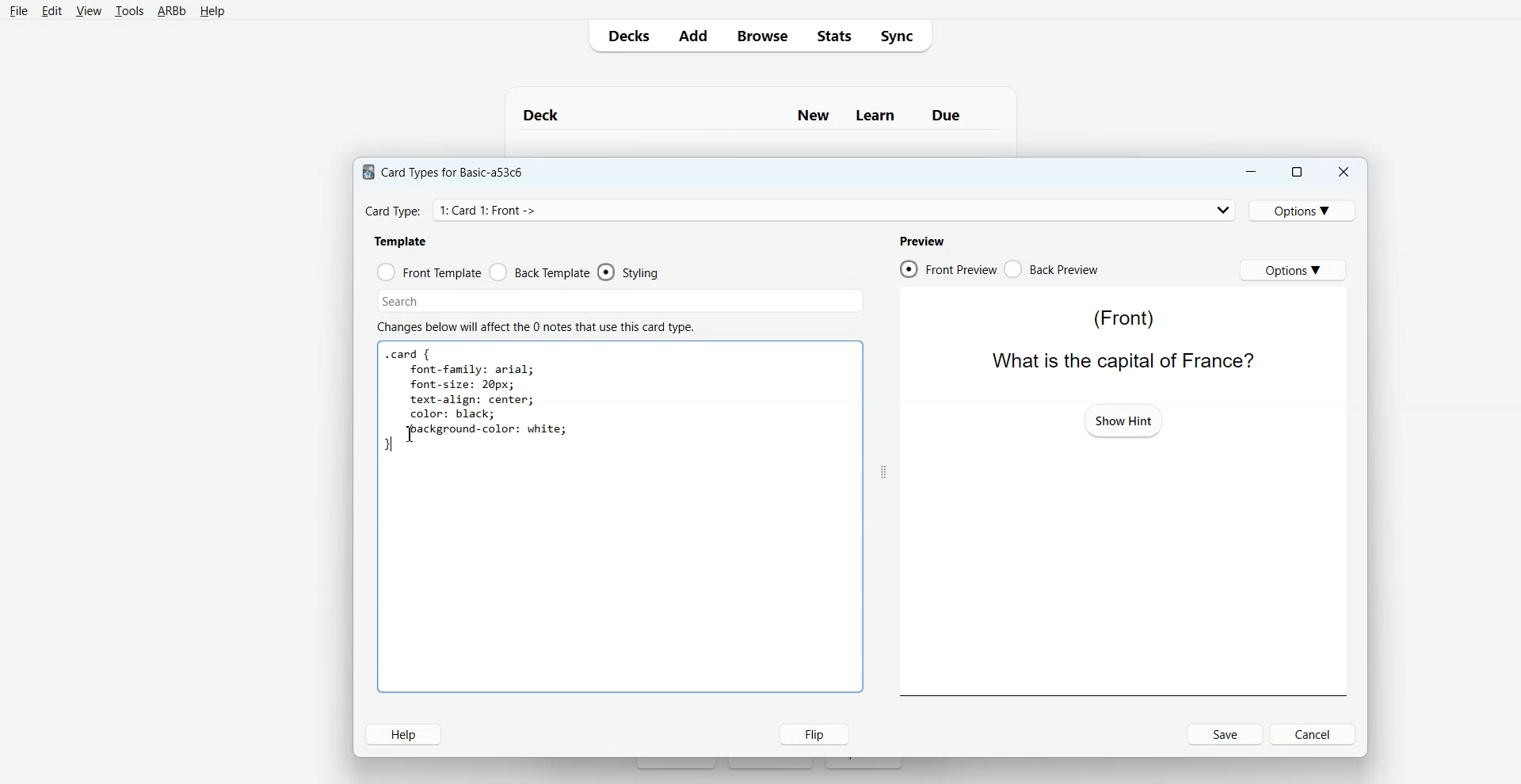 The width and height of the screenshot is (1521, 784). What do you see at coordinates (89, 11) in the screenshot?
I see `View` at bounding box center [89, 11].